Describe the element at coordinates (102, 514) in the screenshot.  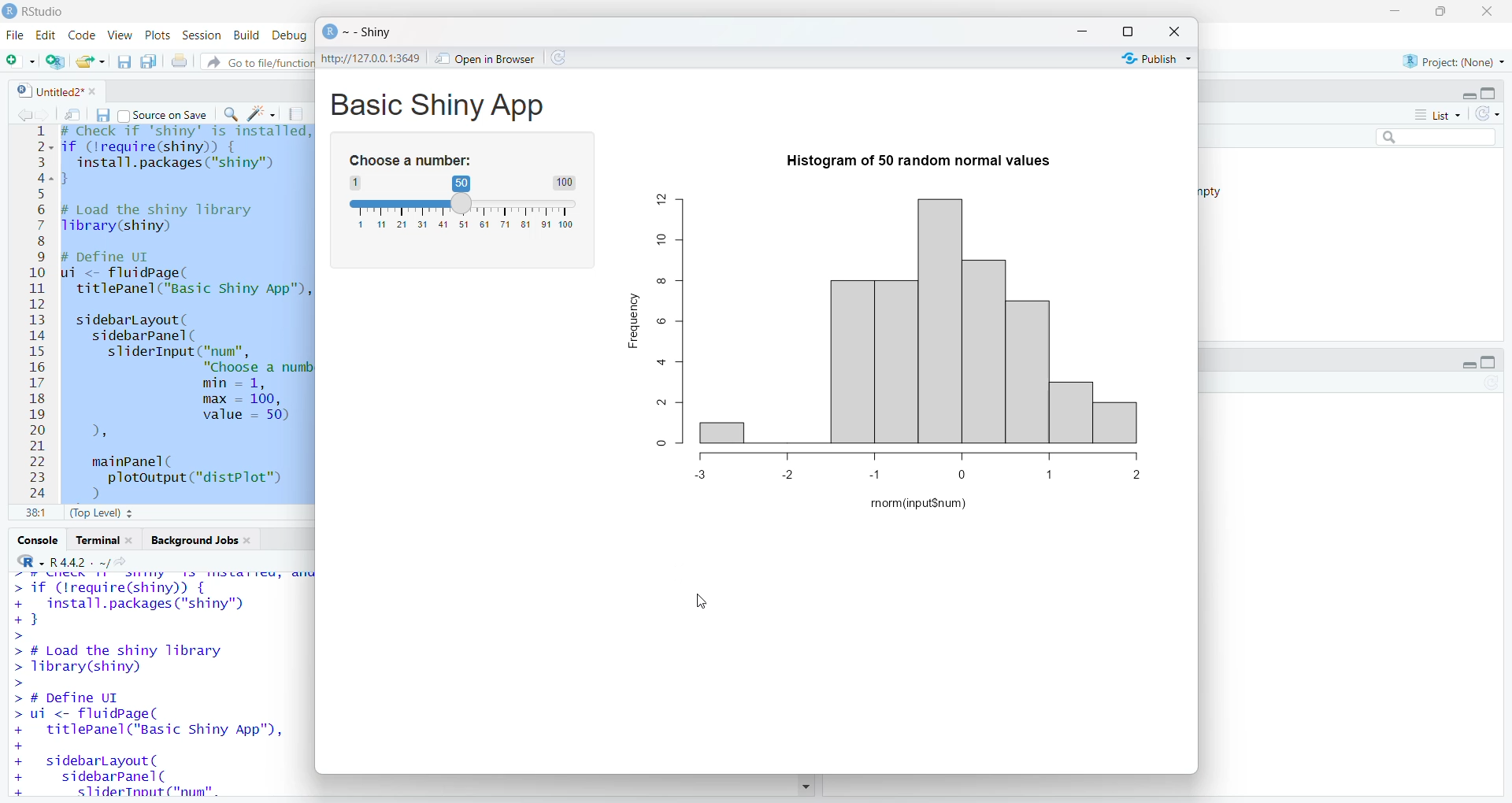
I see `(Top Level)` at that location.